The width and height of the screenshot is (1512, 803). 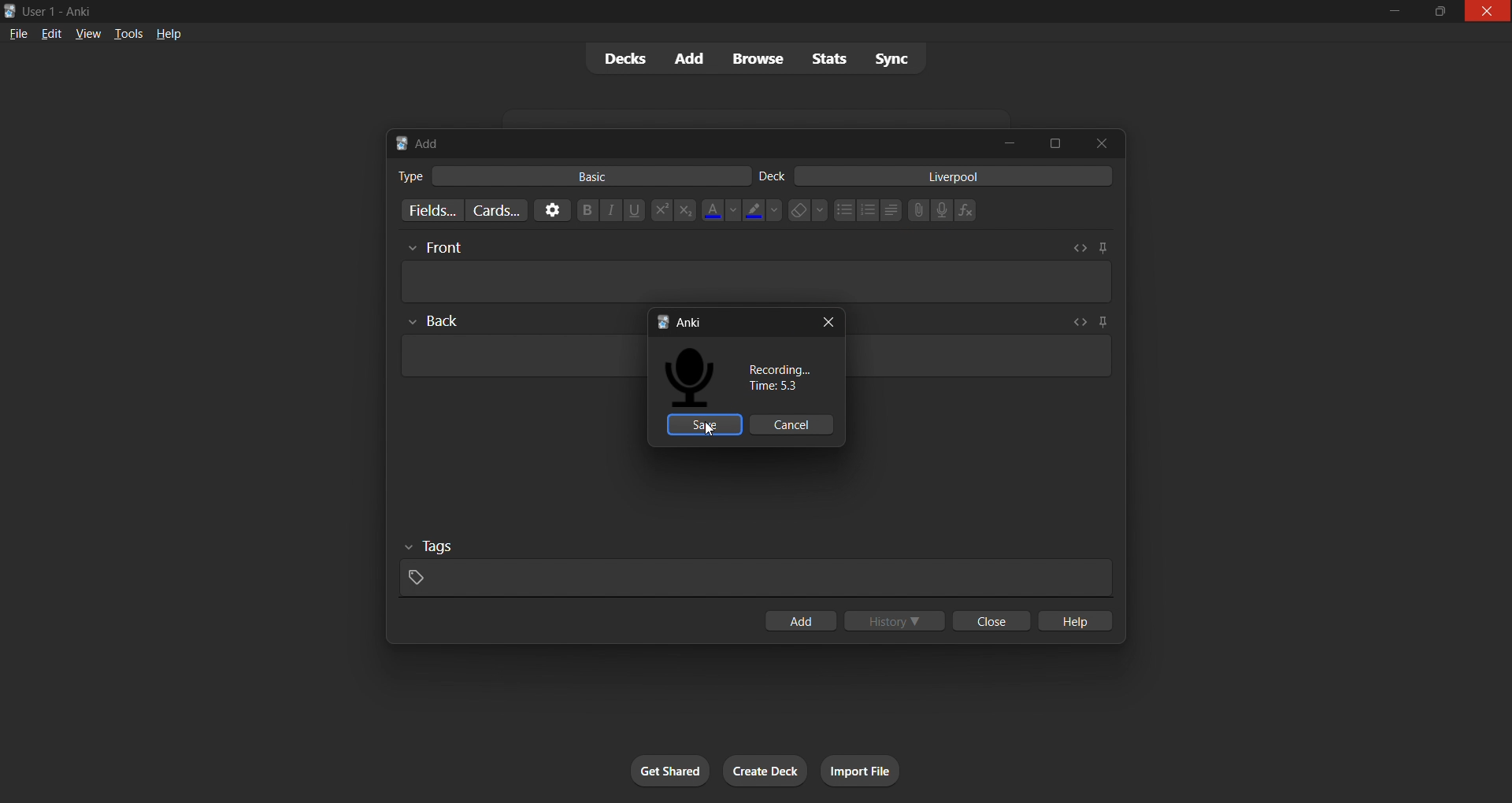 What do you see at coordinates (727, 320) in the screenshot?
I see `audio title bar` at bounding box center [727, 320].